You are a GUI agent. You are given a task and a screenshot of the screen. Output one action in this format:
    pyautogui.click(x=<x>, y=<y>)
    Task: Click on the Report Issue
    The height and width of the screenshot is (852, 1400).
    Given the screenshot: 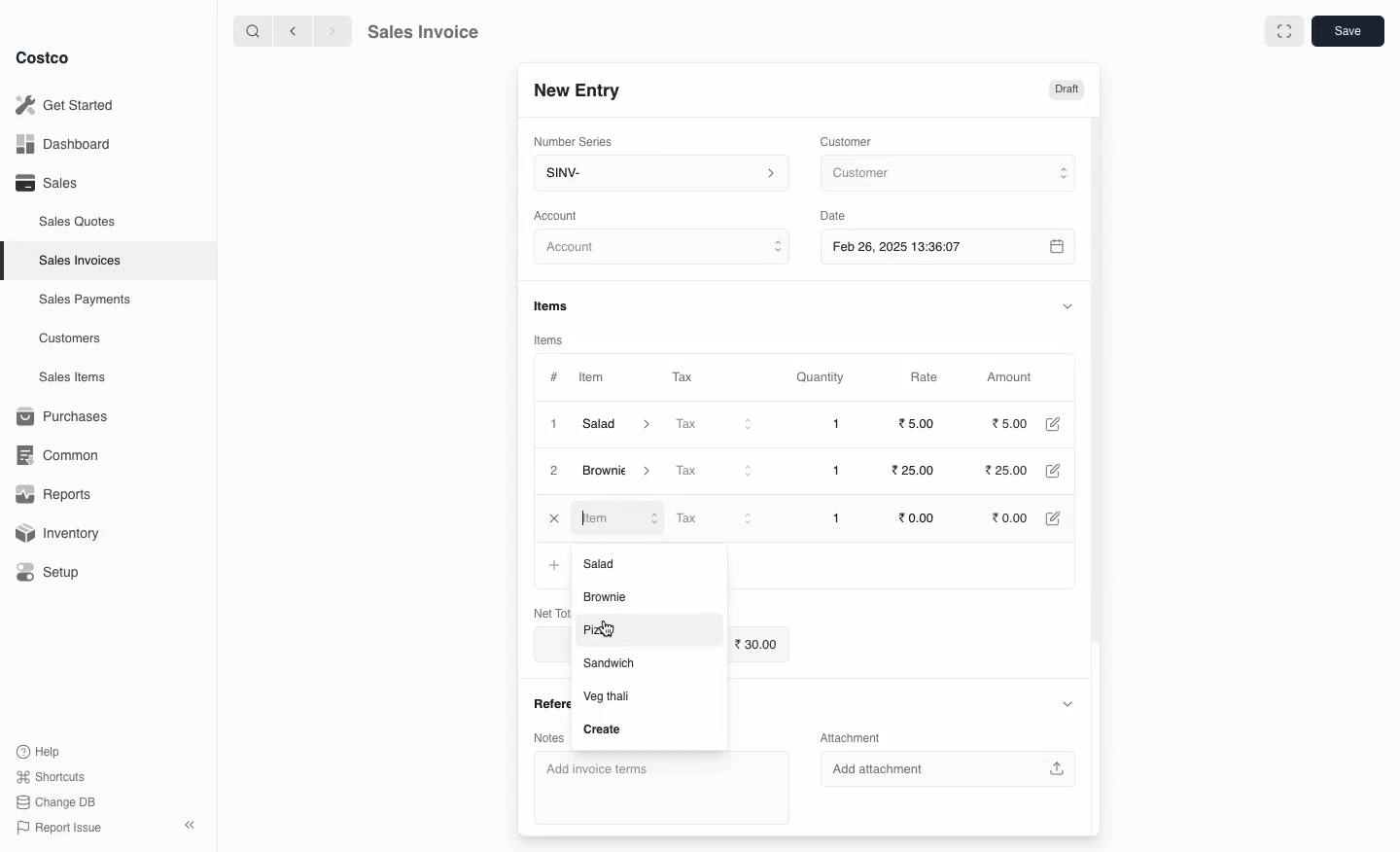 What is the action you would take?
    pyautogui.click(x=55, y=828)
    